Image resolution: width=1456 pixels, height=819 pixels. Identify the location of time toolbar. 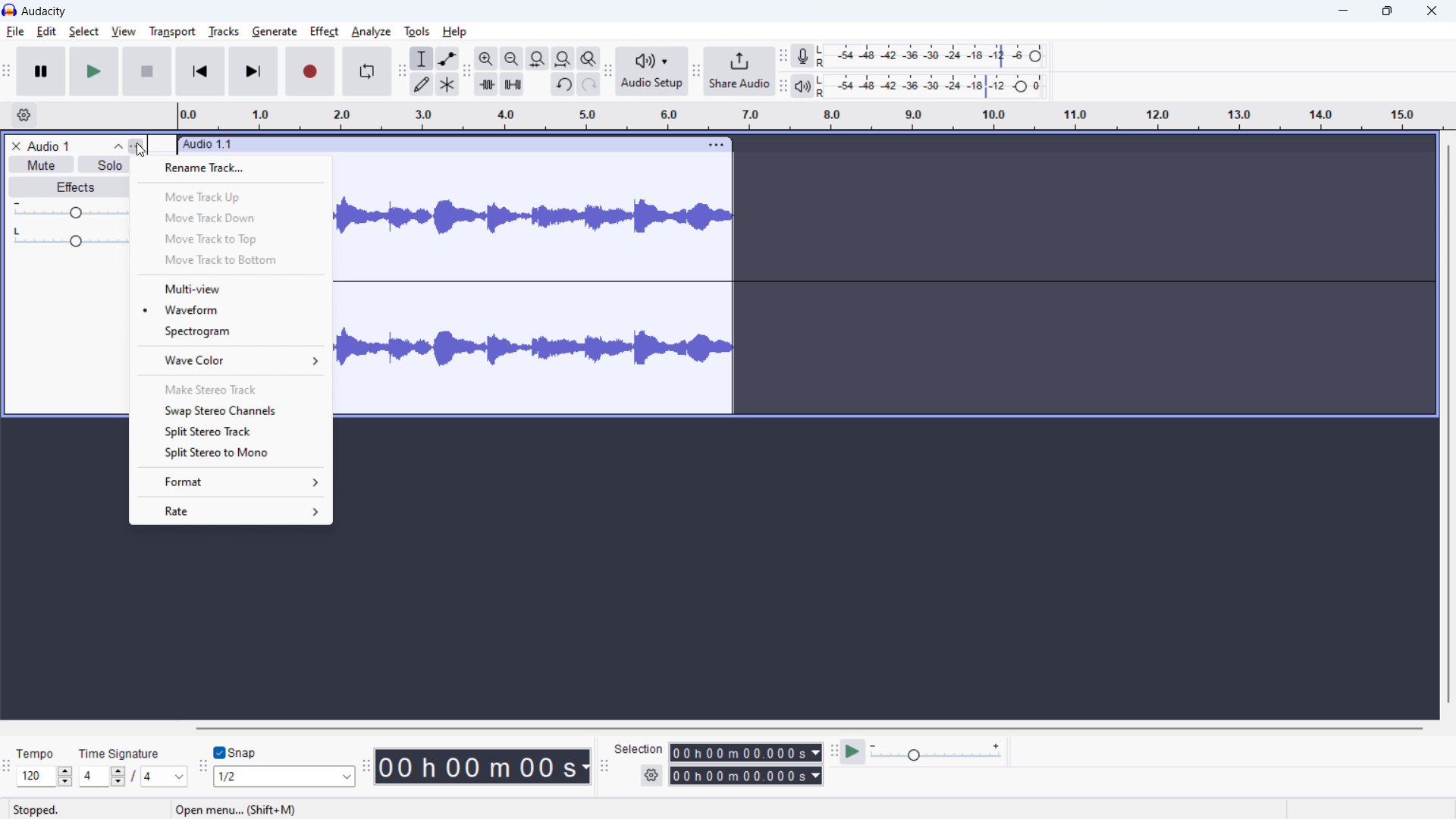
(366, 767).